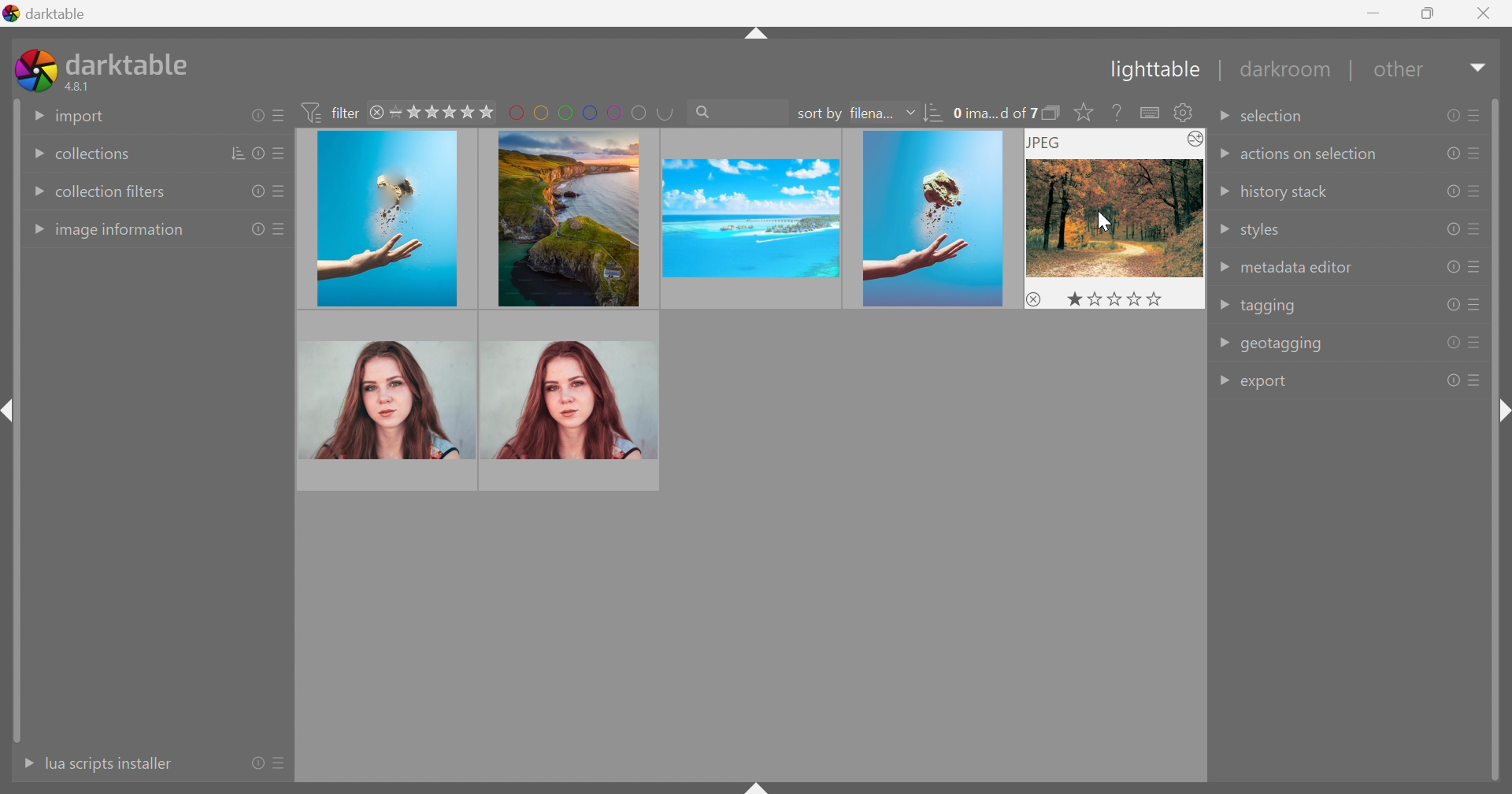 This screenshot has width=1512, height=794. What do you see at coordinates (1478, 153) in the screenshot?
I see `presets` at bounding box center [1478, 153].